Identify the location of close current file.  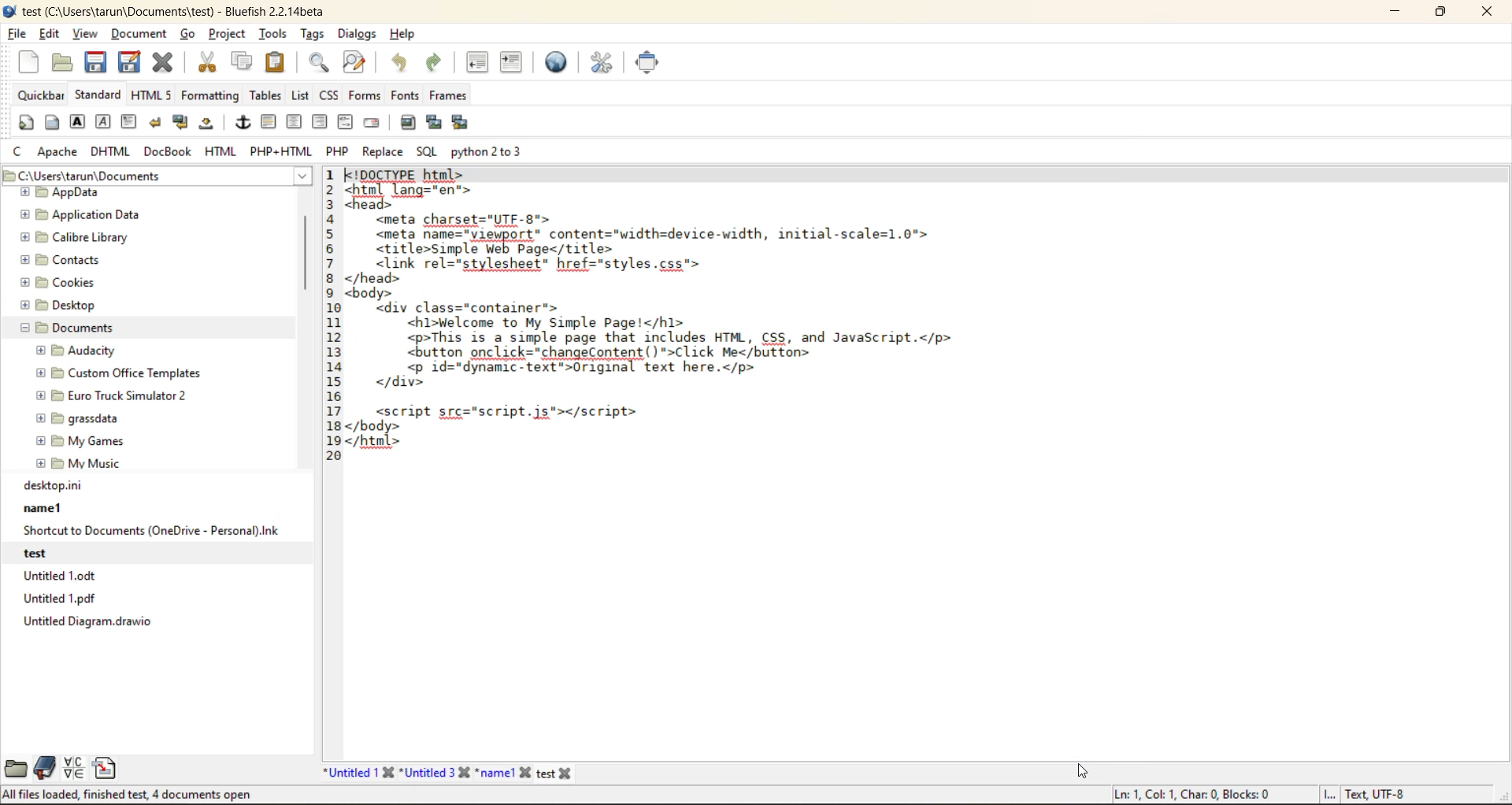
(166, 63).